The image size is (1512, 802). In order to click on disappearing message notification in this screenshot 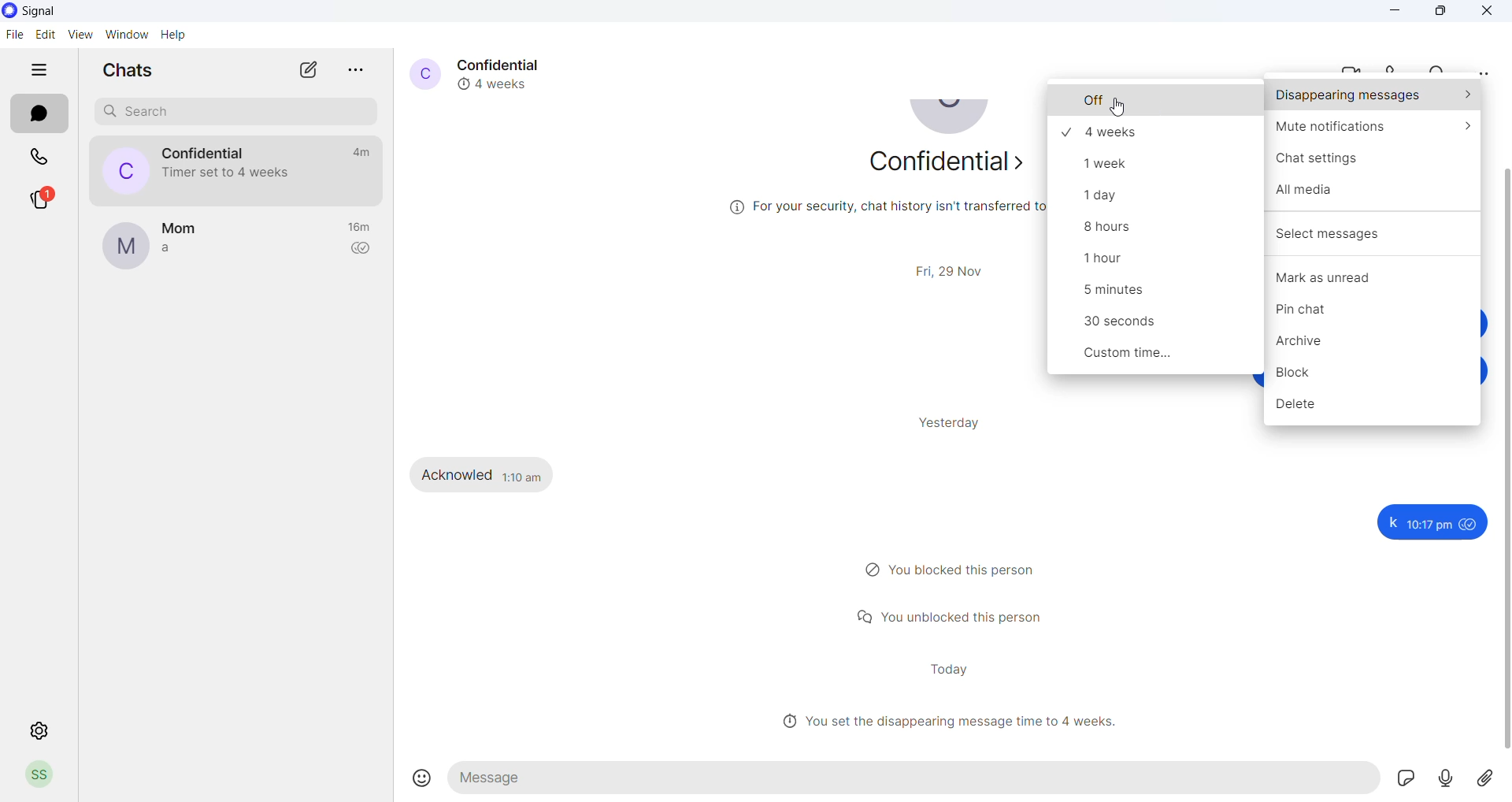, I will do `click(230, 172)`.